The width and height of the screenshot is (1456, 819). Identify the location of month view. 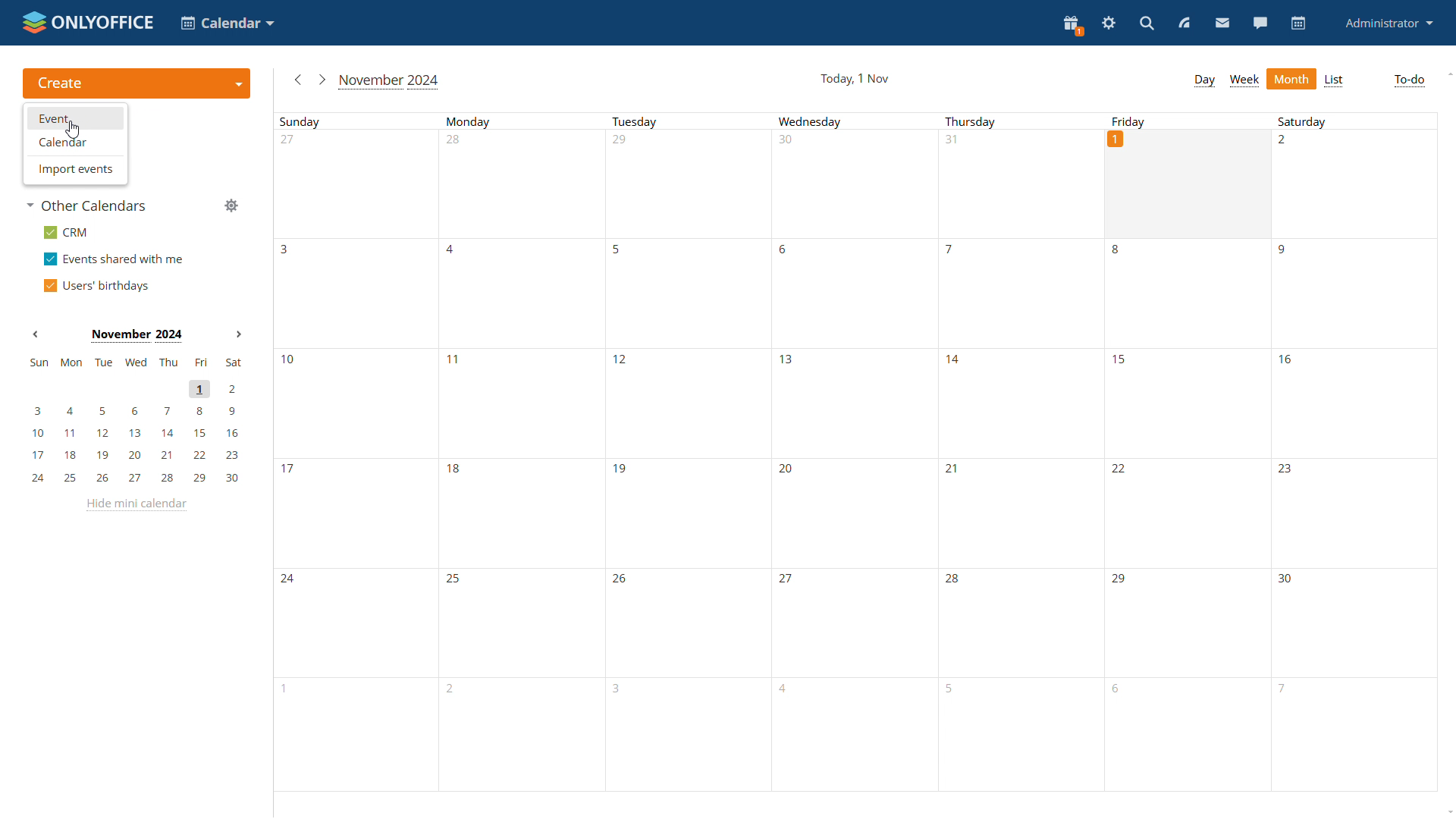
(1292, 77).